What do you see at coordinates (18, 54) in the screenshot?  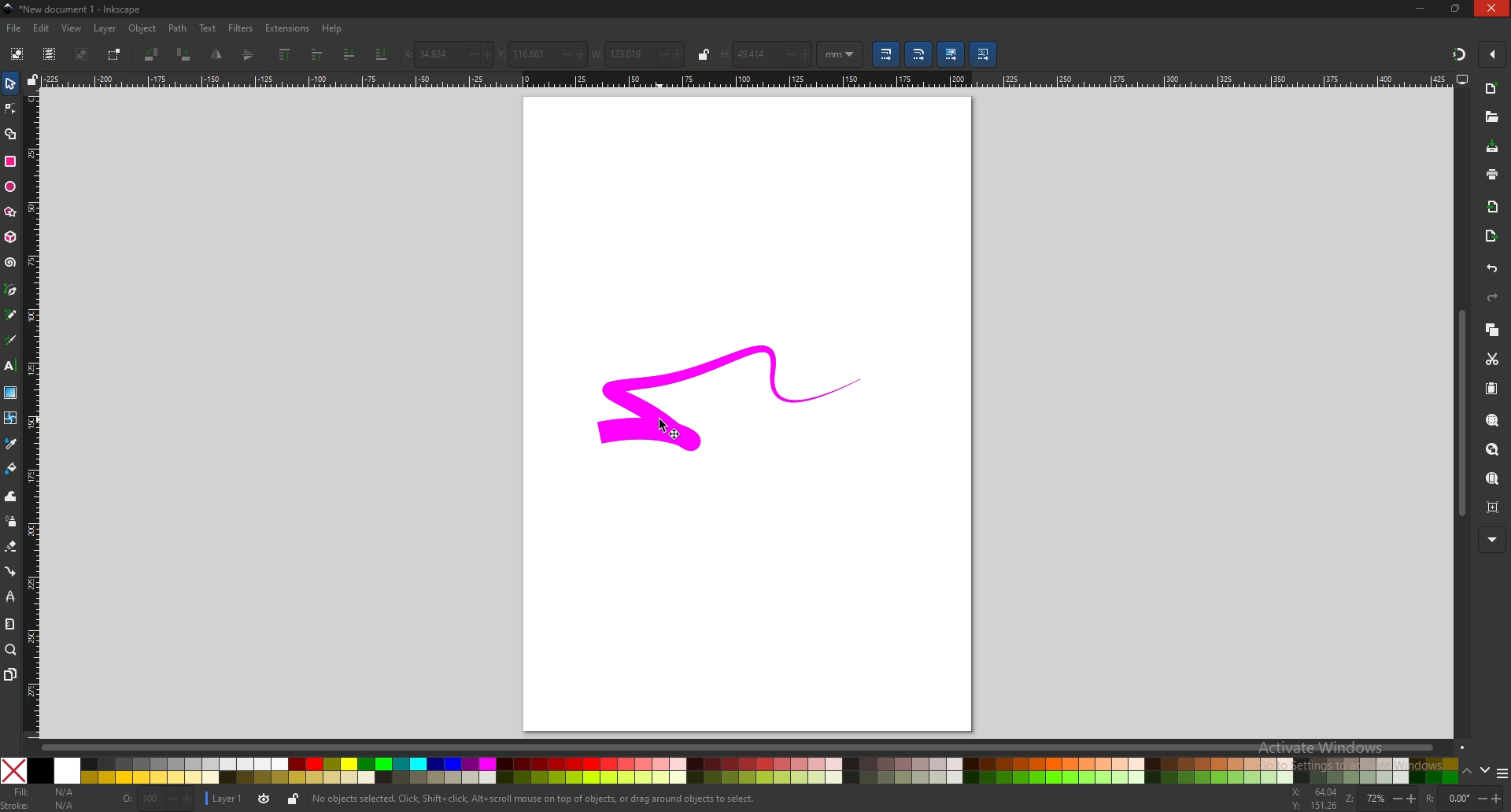 I see `select all objects` at bounding box center [18, 54].